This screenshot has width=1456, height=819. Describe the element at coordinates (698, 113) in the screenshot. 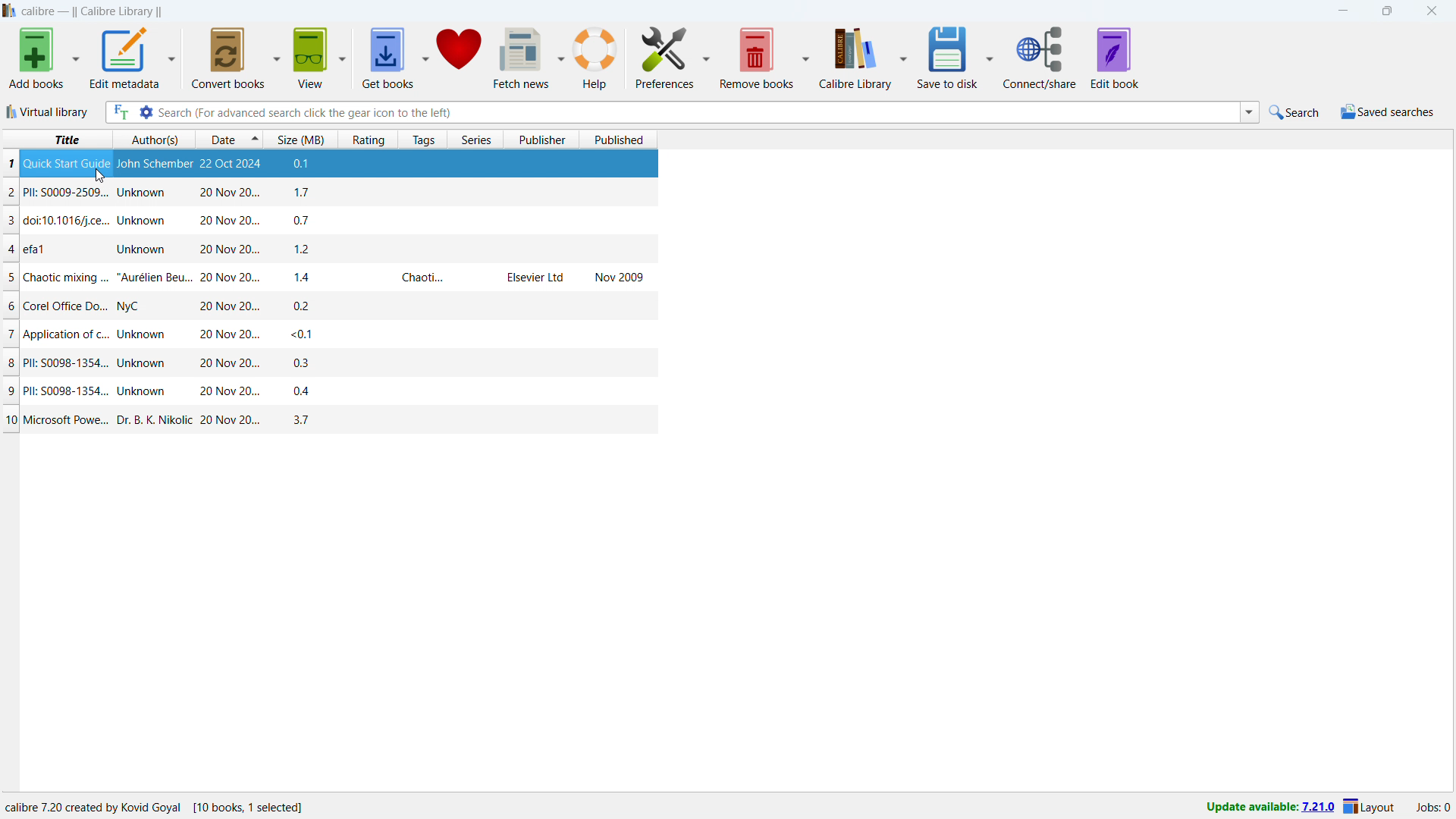

I see `enter search string` at that location.